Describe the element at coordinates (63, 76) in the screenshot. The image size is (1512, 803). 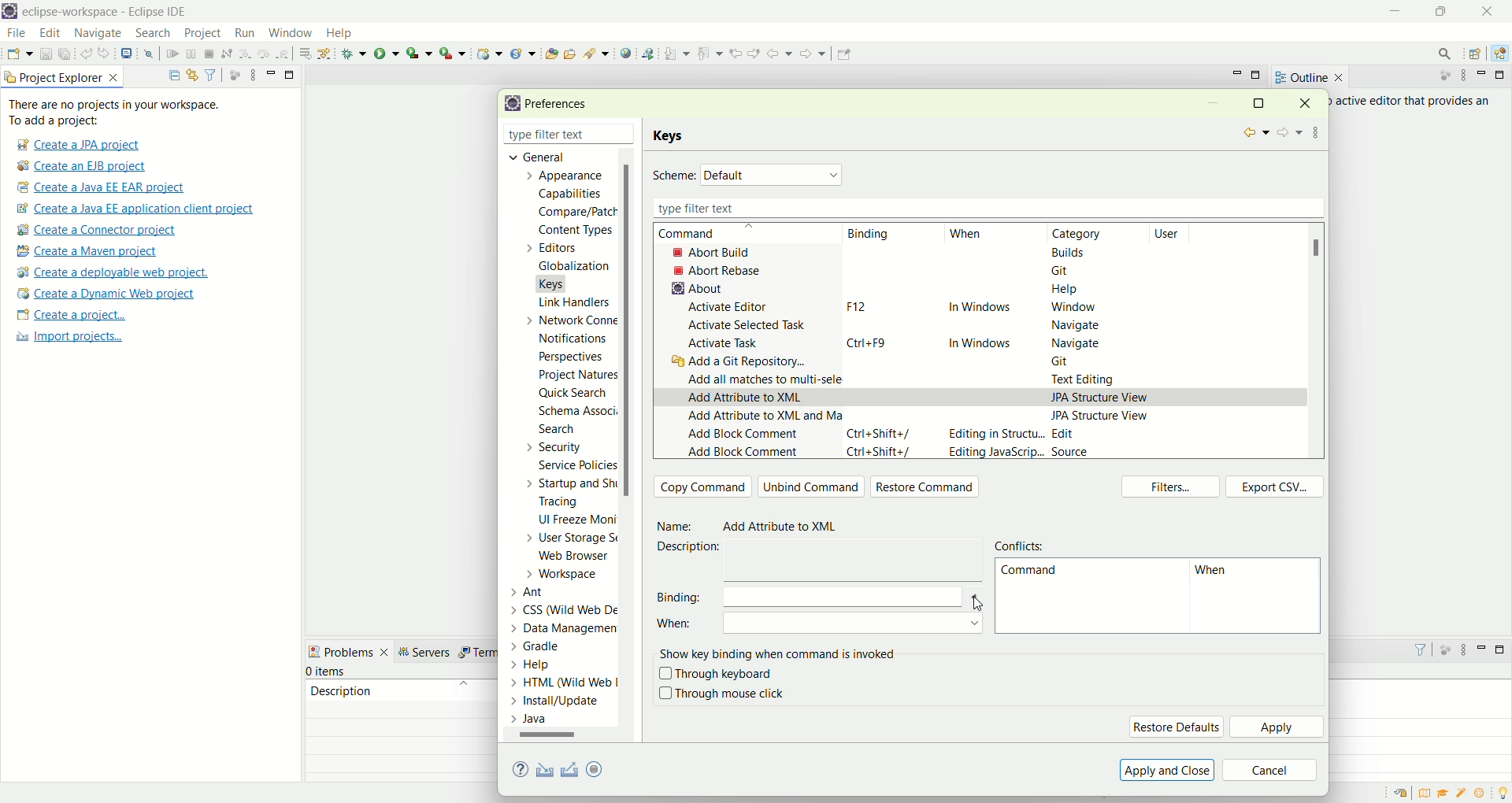
I see `project explorer` at that location.